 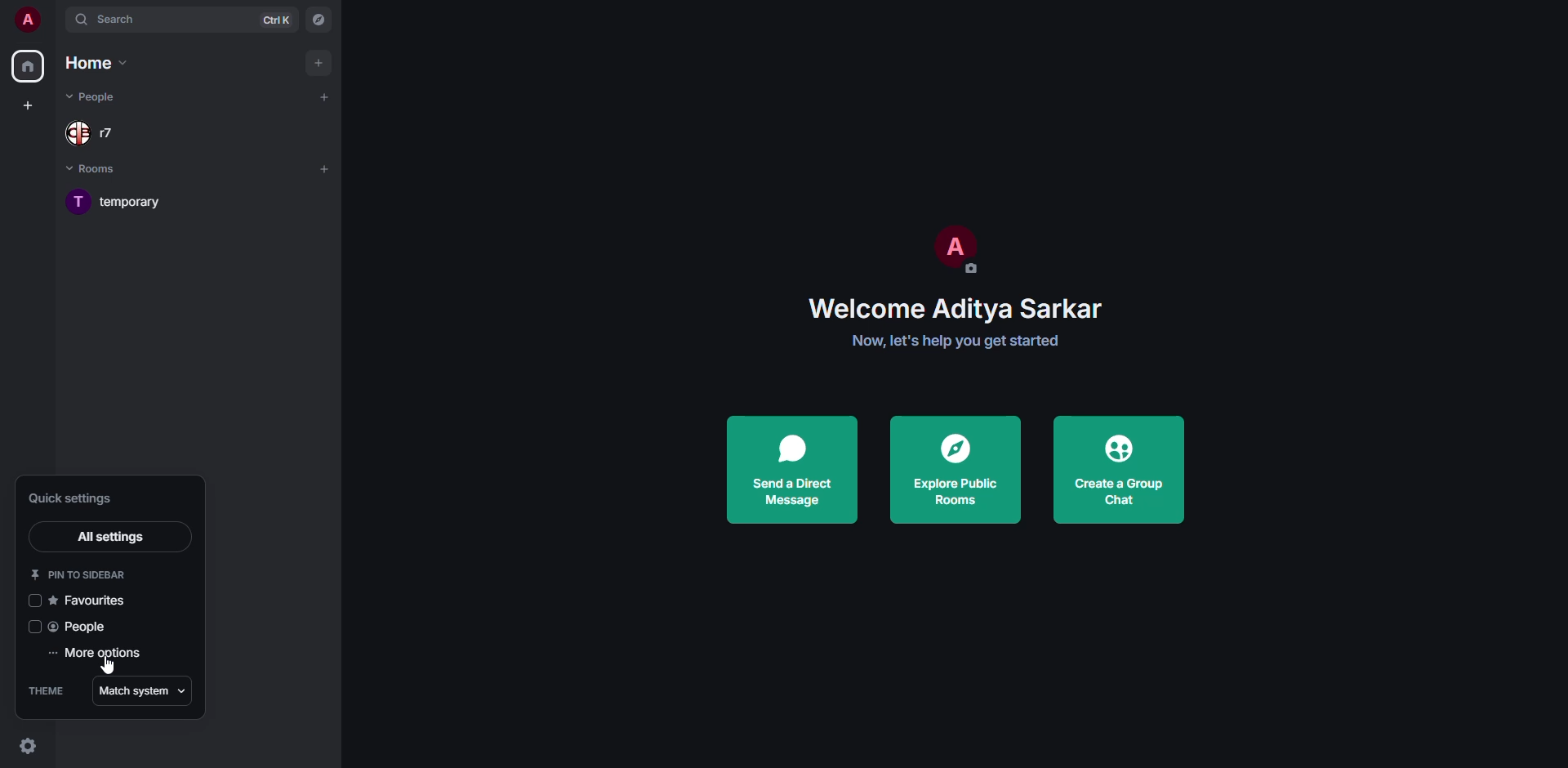 What do you see at coordinates (137, 200) in the screenshot?
I see `room` at bounding box center [137, 200].